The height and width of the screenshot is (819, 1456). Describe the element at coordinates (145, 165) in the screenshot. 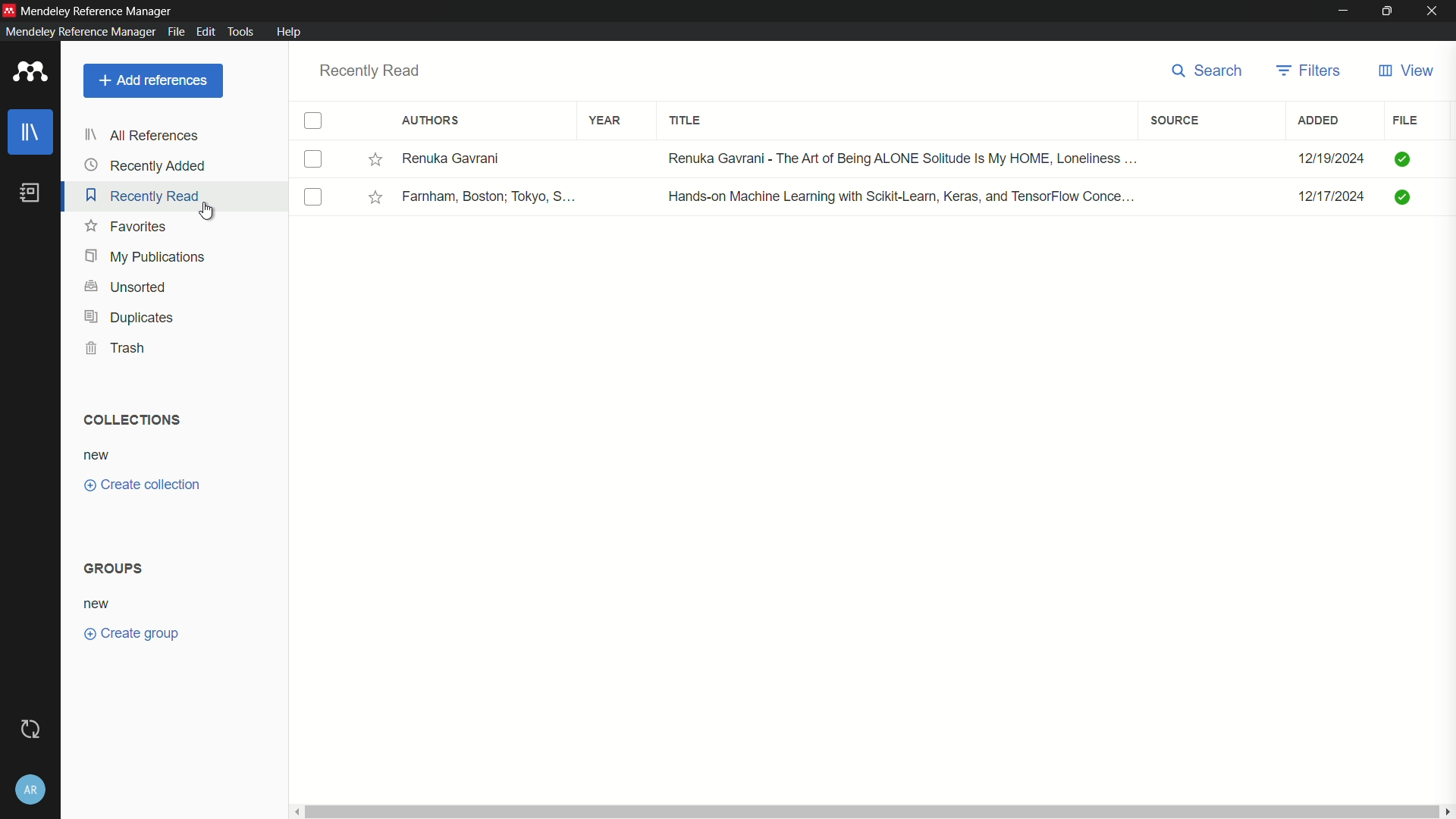

I see `recently added` at that location.